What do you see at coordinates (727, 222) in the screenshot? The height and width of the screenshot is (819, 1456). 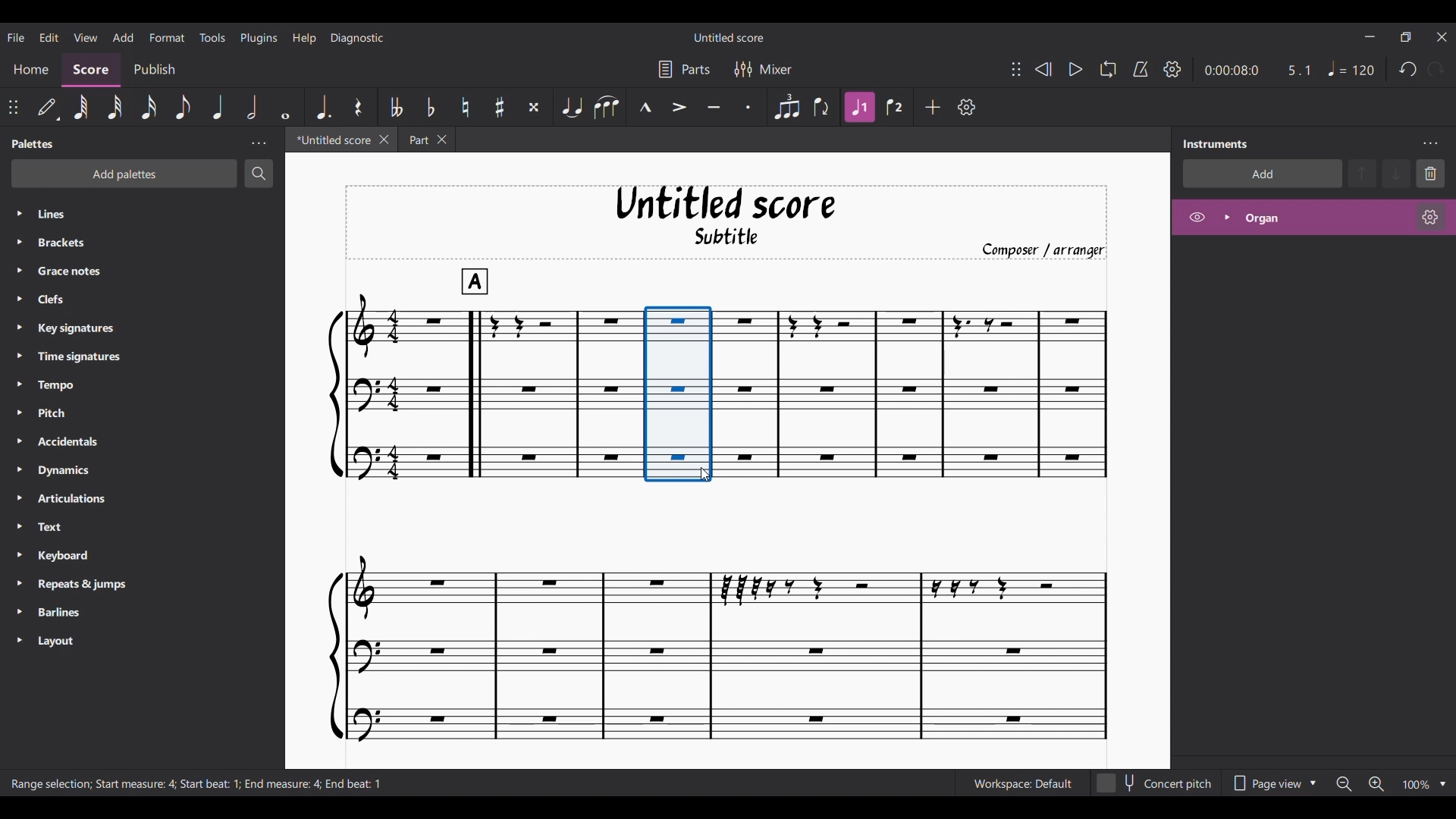 I see `Title, sub-title, and composer name` at bounding box center [727, 222].